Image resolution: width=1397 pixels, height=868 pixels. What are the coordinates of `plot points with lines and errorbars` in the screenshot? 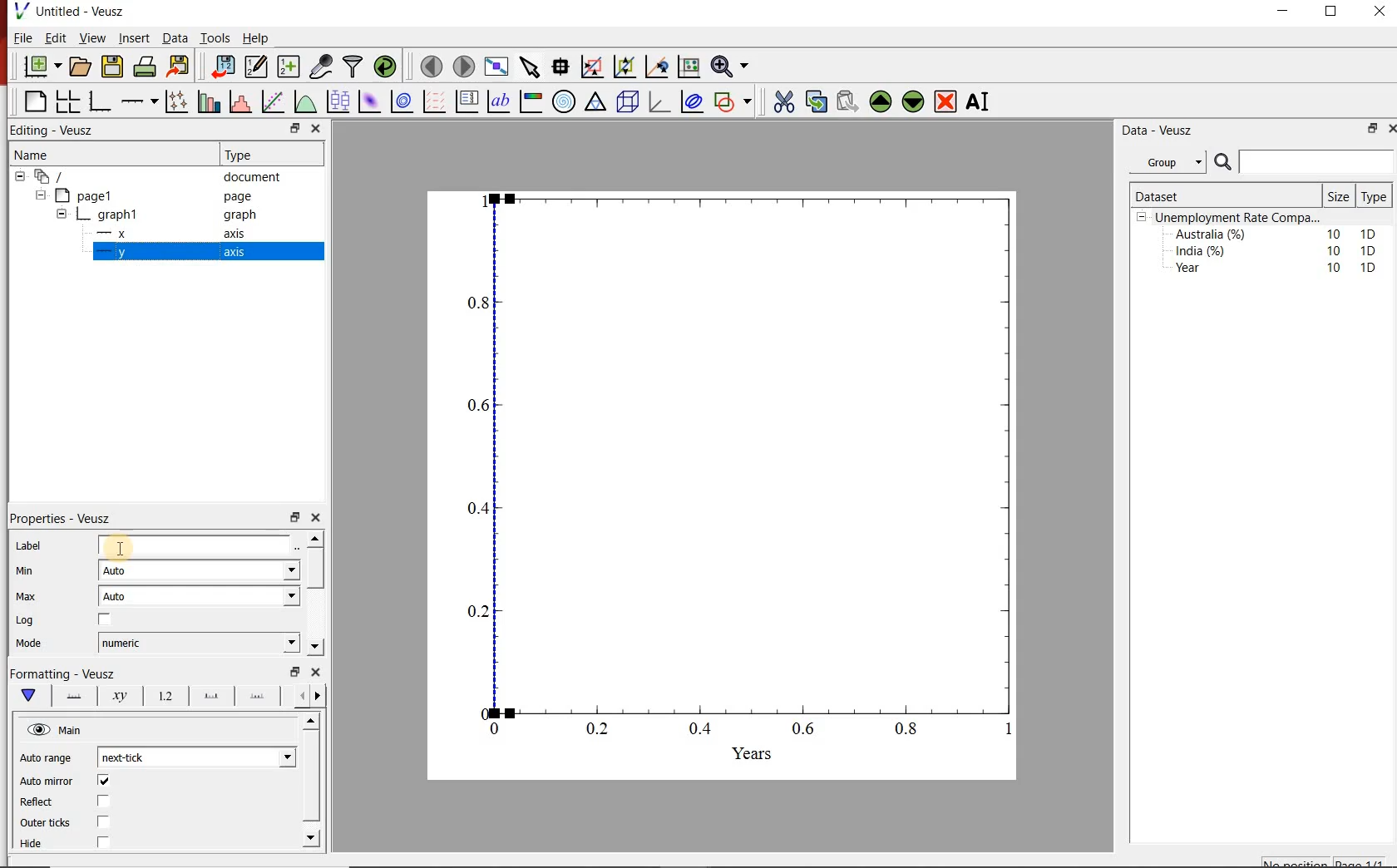 It's located at (176, 101).